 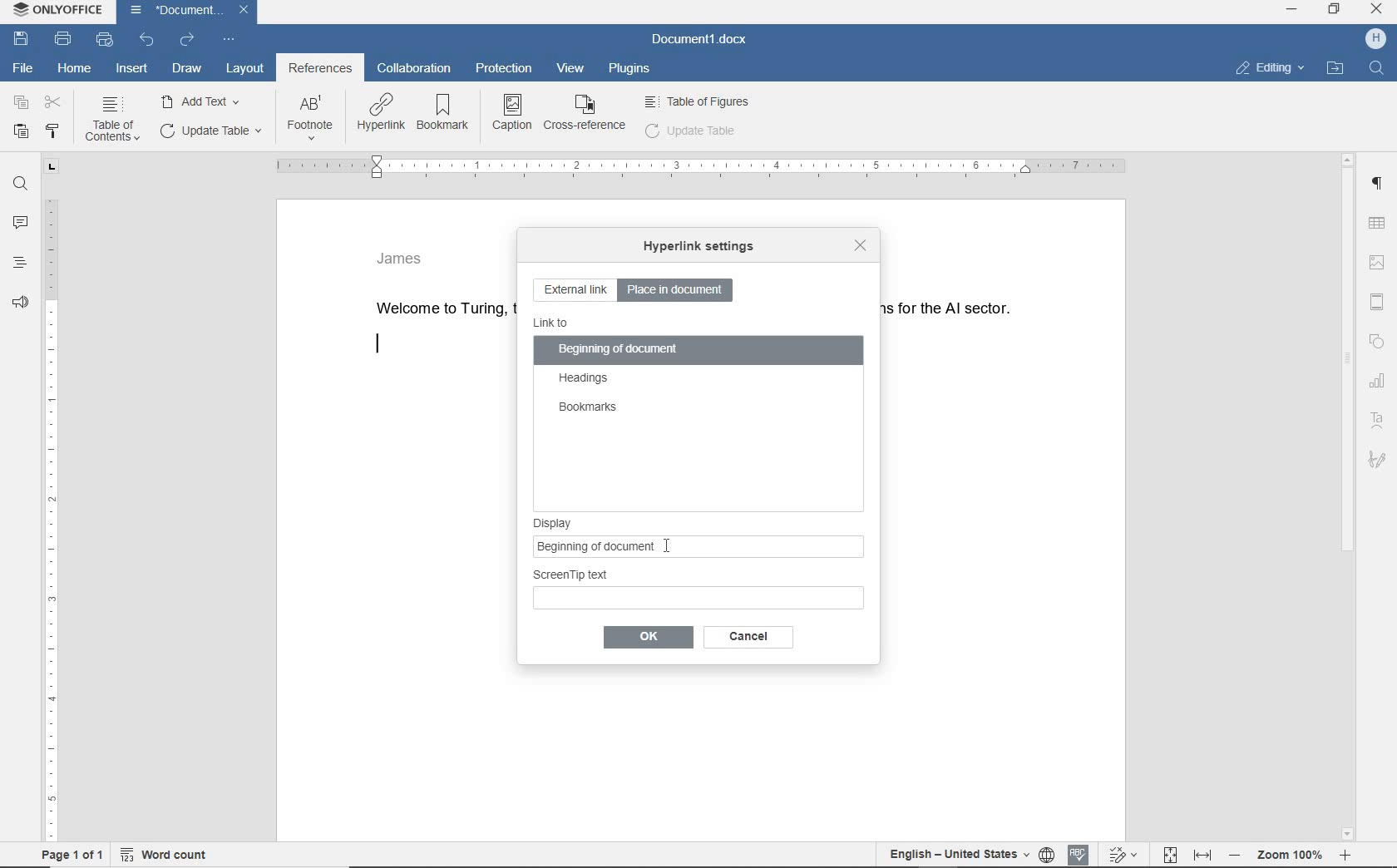 What do you see at coordinates (681, 545) in the screenshot?
I see `Beginning of document` at bounding box center [681, 545].